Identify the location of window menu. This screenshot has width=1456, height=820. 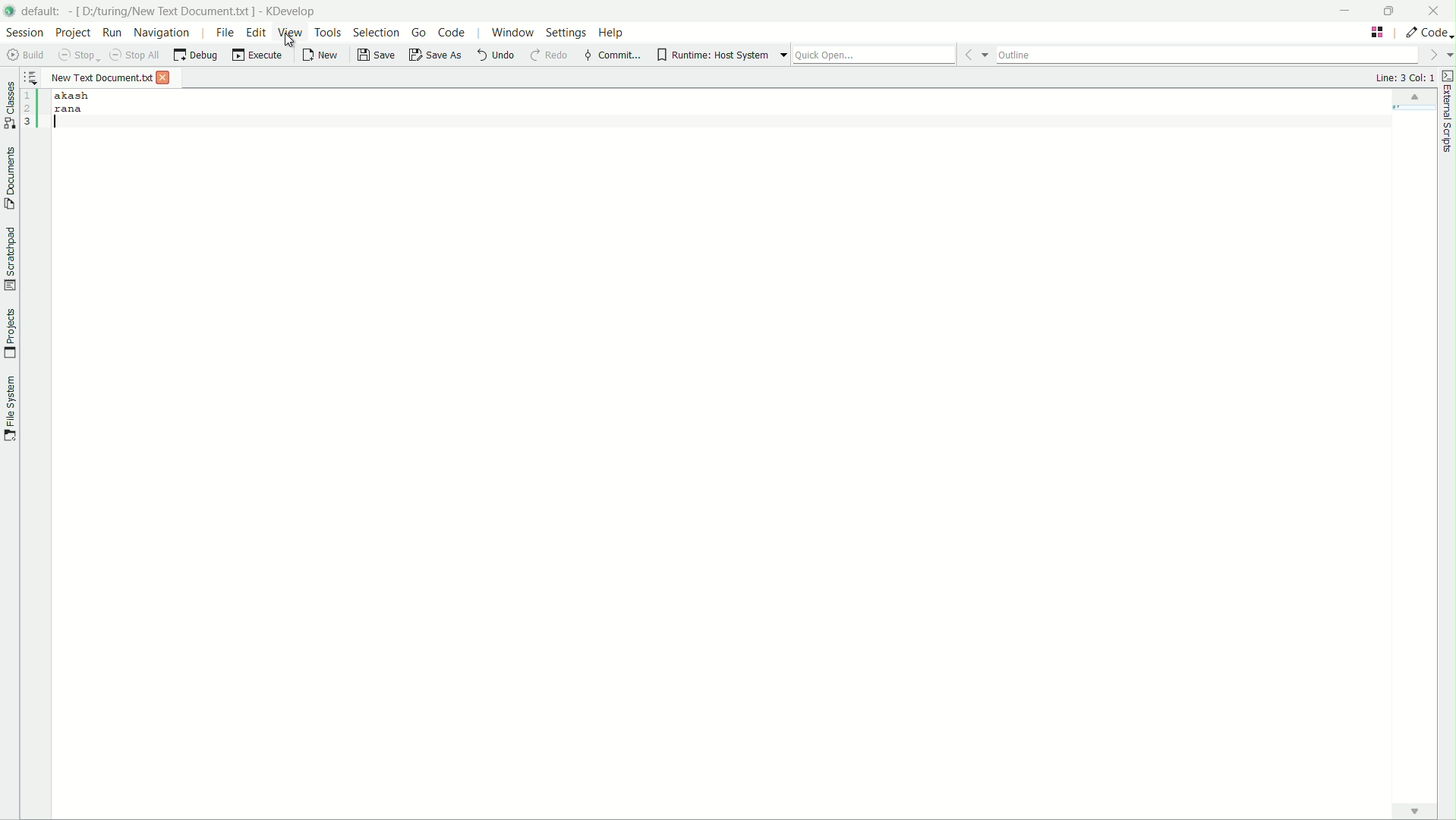
(510, 33).